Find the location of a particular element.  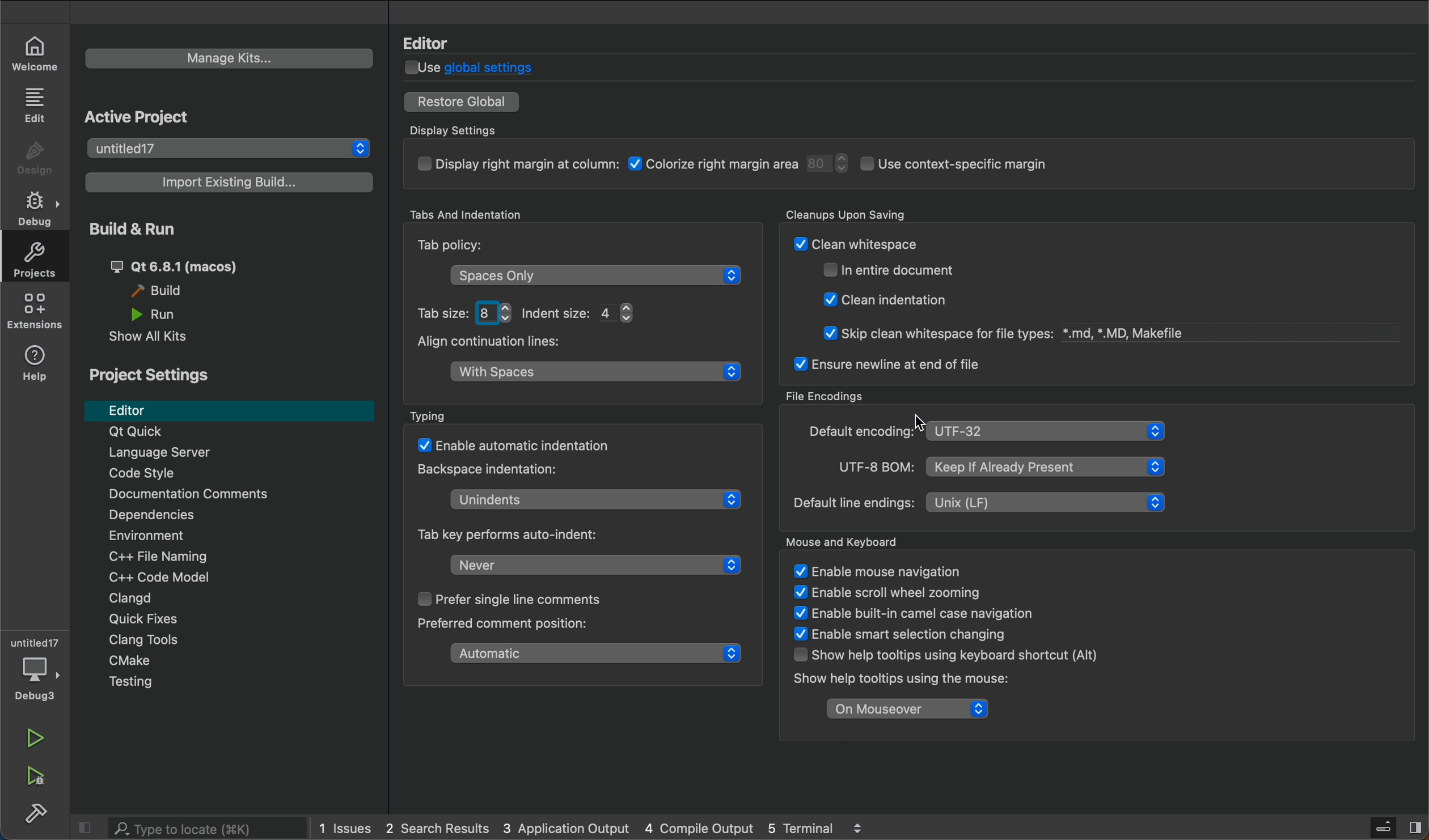

Dependencies  is located at coordinates (222, 515).